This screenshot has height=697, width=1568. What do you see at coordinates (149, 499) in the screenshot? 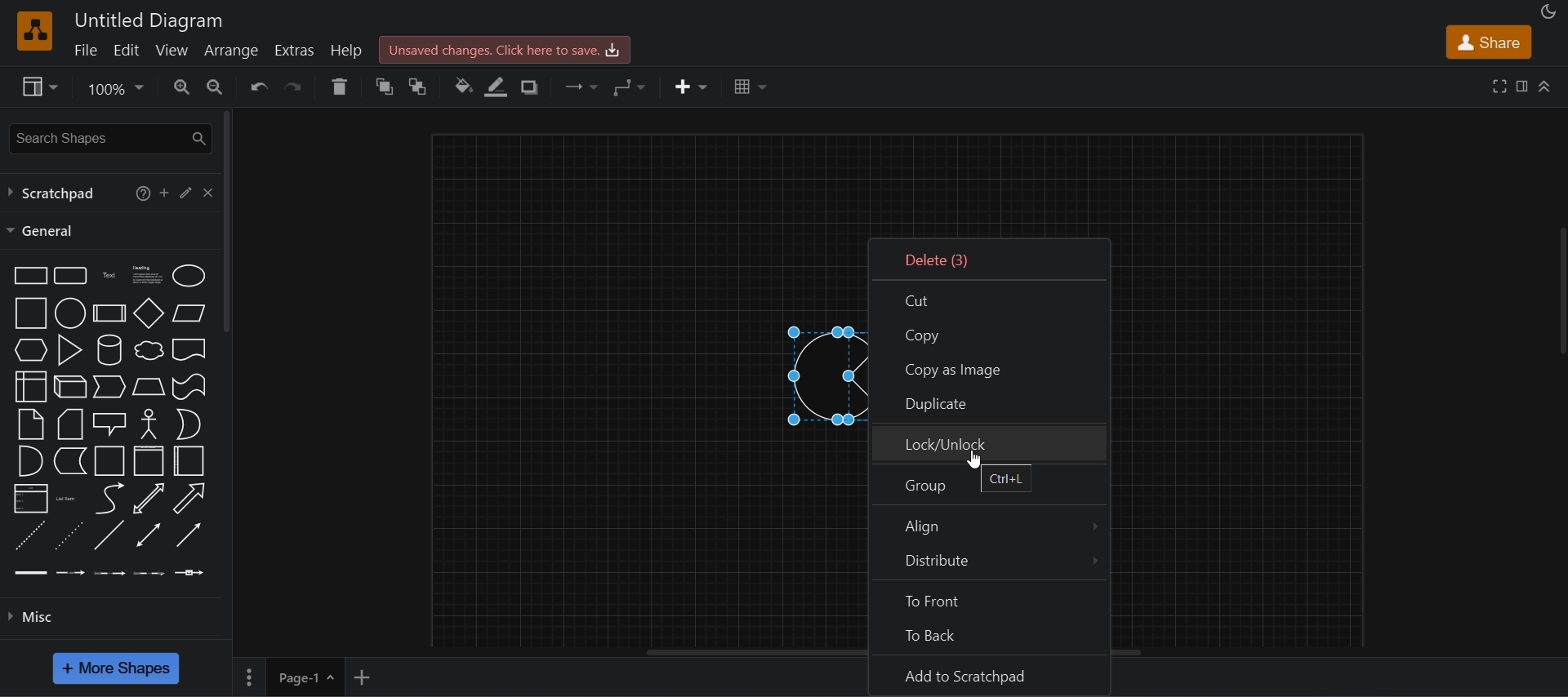
I see `Bidirectional arrow` at bounding box center [149, 499].